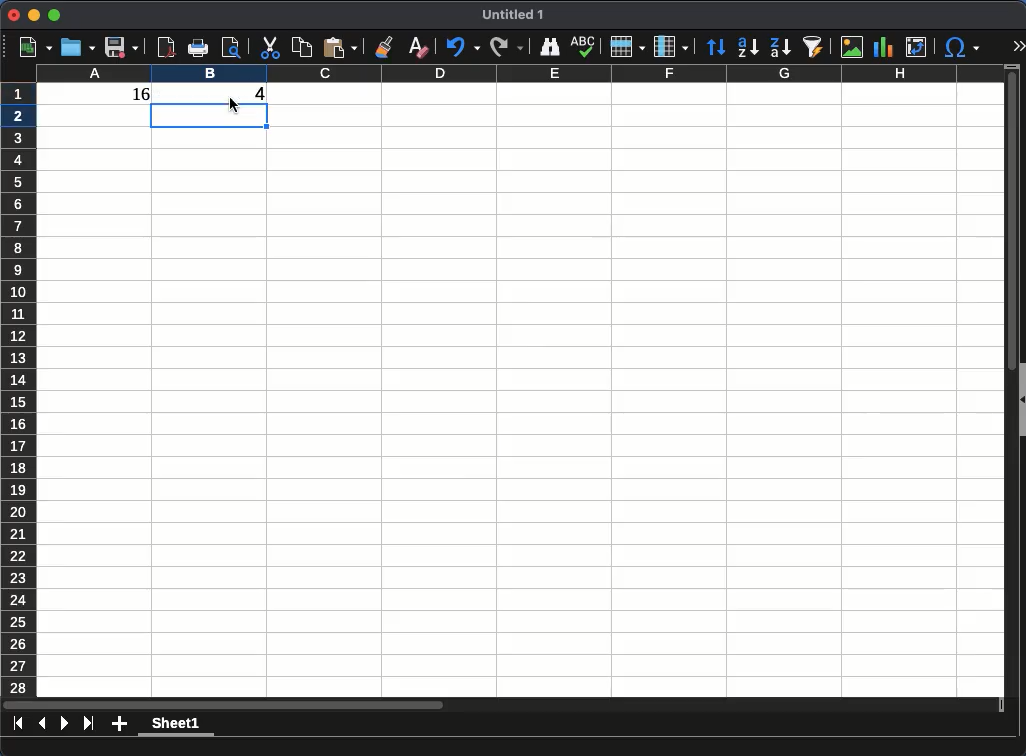 The image size is (1026, 756). I want to click on new, so click(29, 47).